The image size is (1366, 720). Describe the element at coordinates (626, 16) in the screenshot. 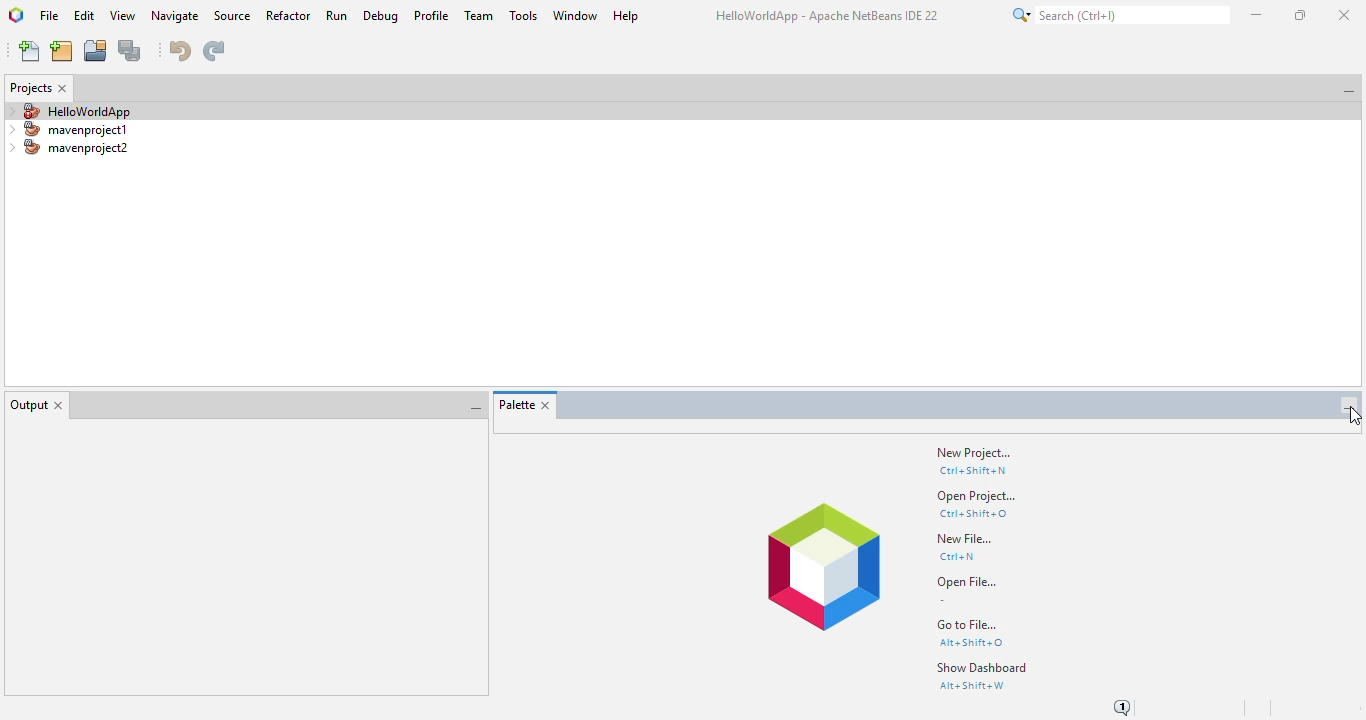

I see `help` at that location.